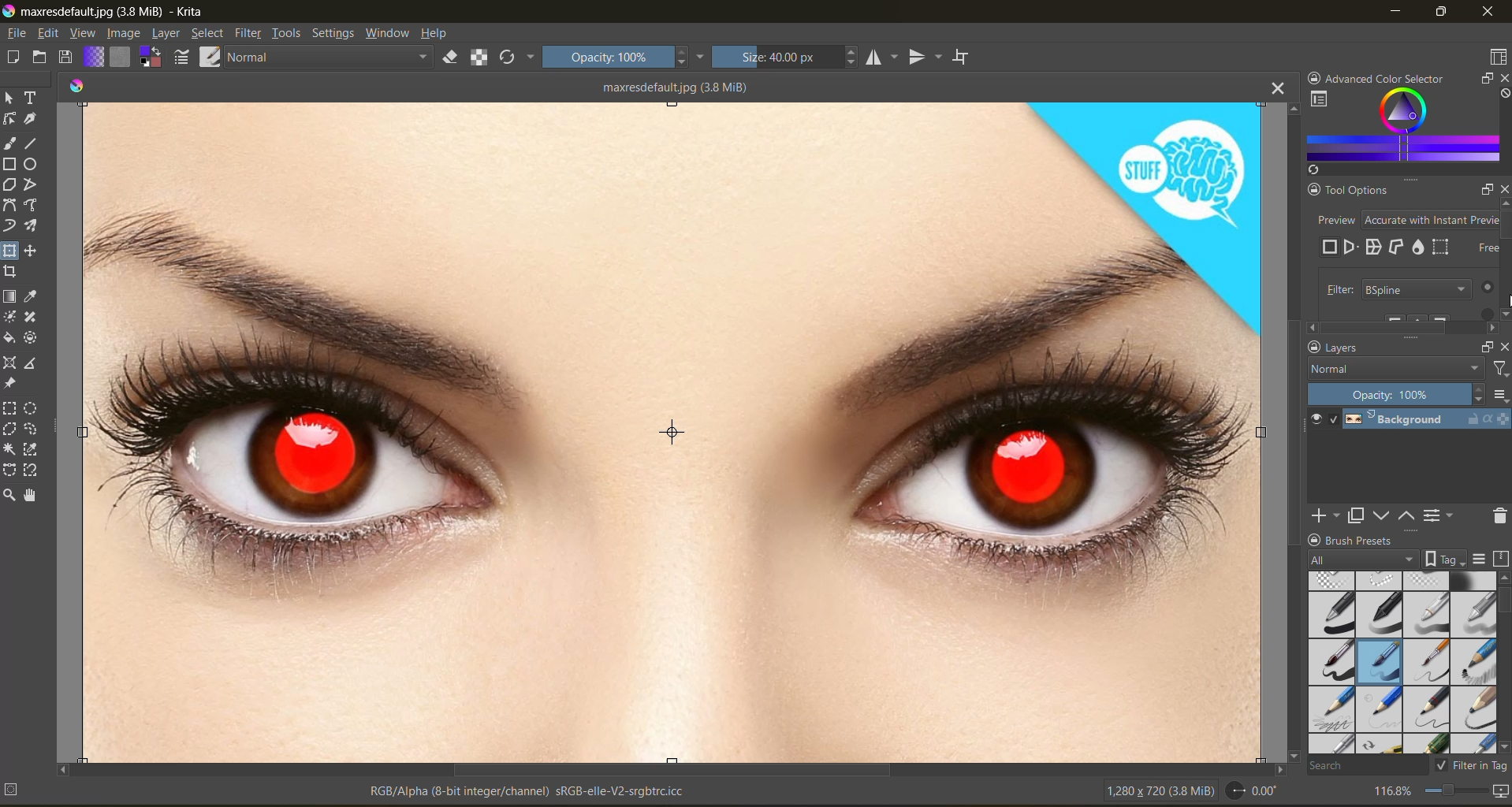 This screenshot has width=1512, height=807. Describe the element at coordinates (35, 203) in the screenshot. I see `tool` at that location.